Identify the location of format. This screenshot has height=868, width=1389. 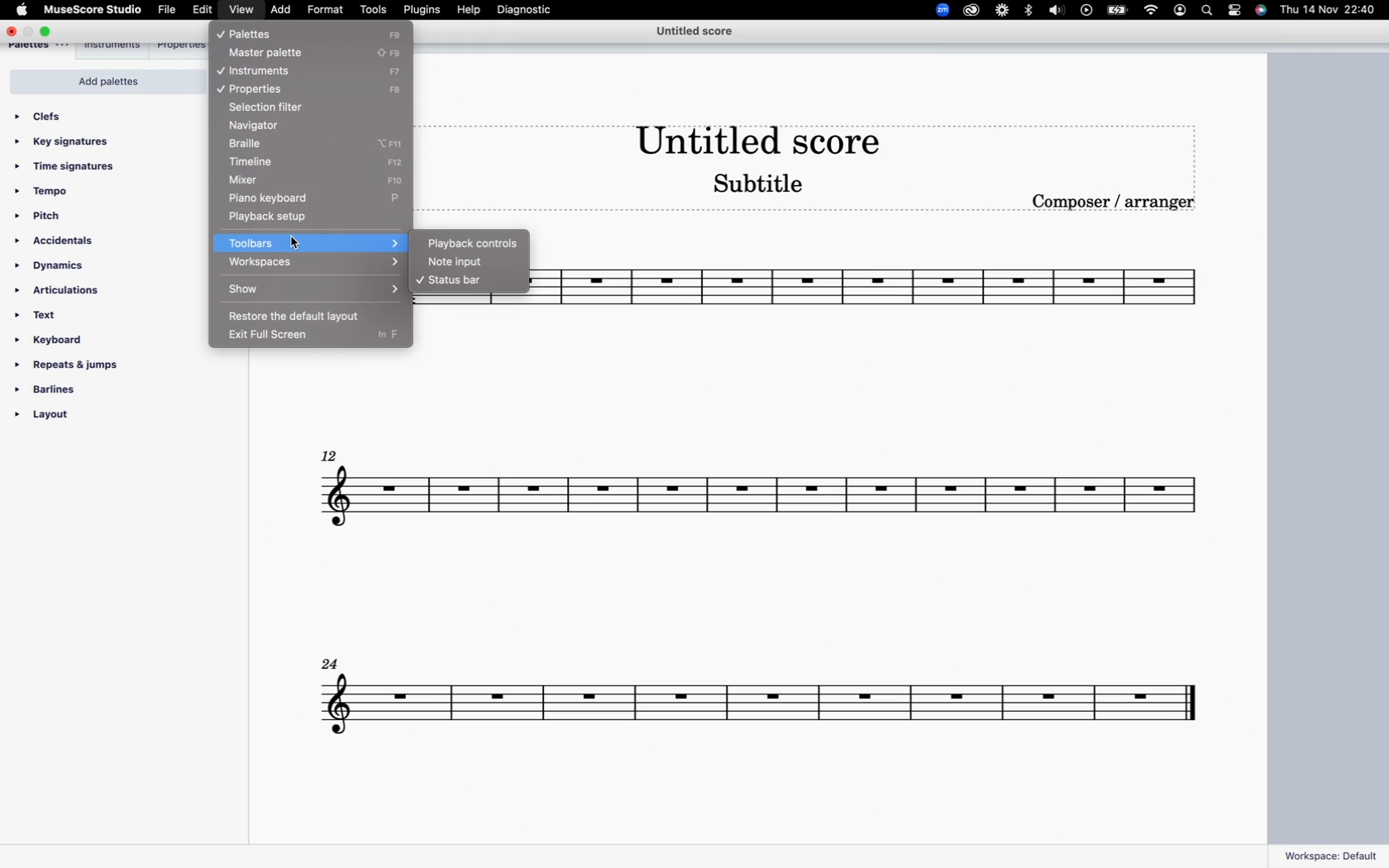
(325, 10).